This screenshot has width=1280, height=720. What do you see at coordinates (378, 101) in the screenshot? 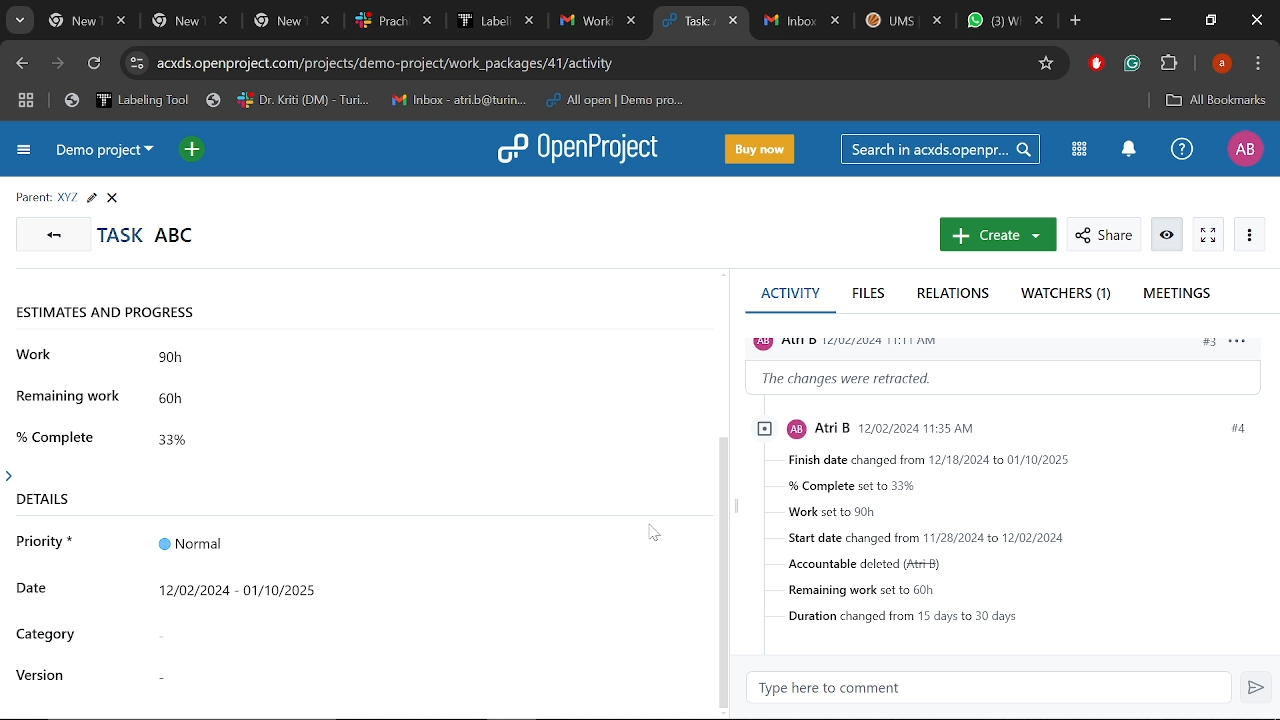
I see `Bookmarked tabs` at bounding box center [378, 101].